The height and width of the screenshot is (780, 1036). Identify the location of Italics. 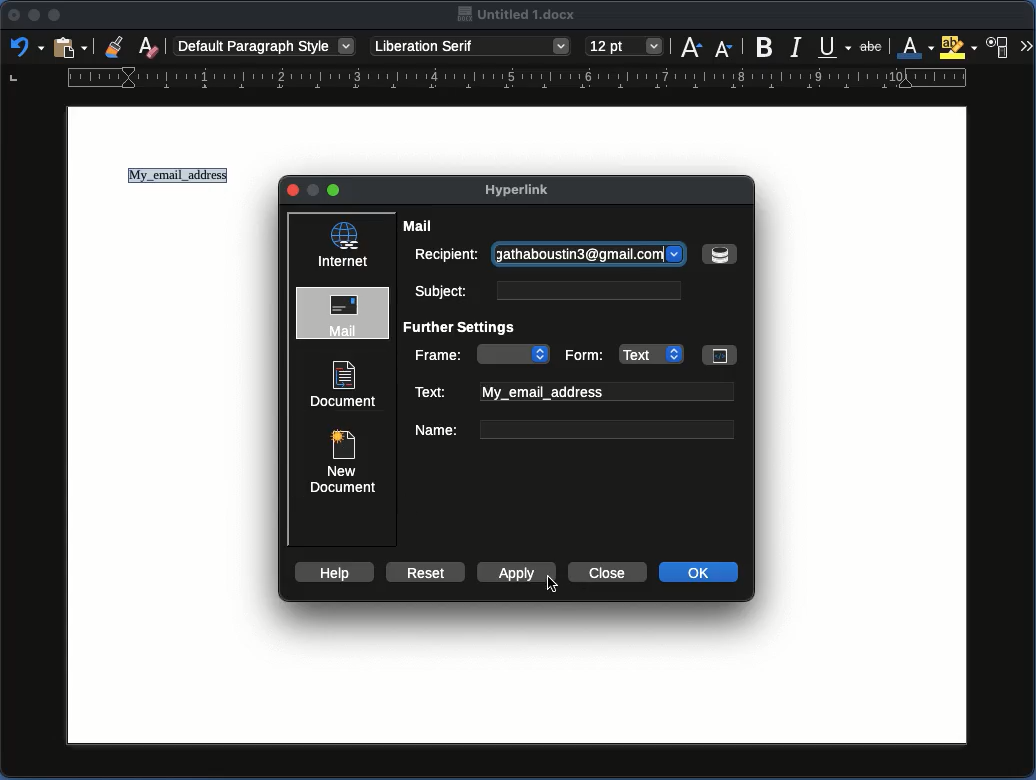
(796, 46).